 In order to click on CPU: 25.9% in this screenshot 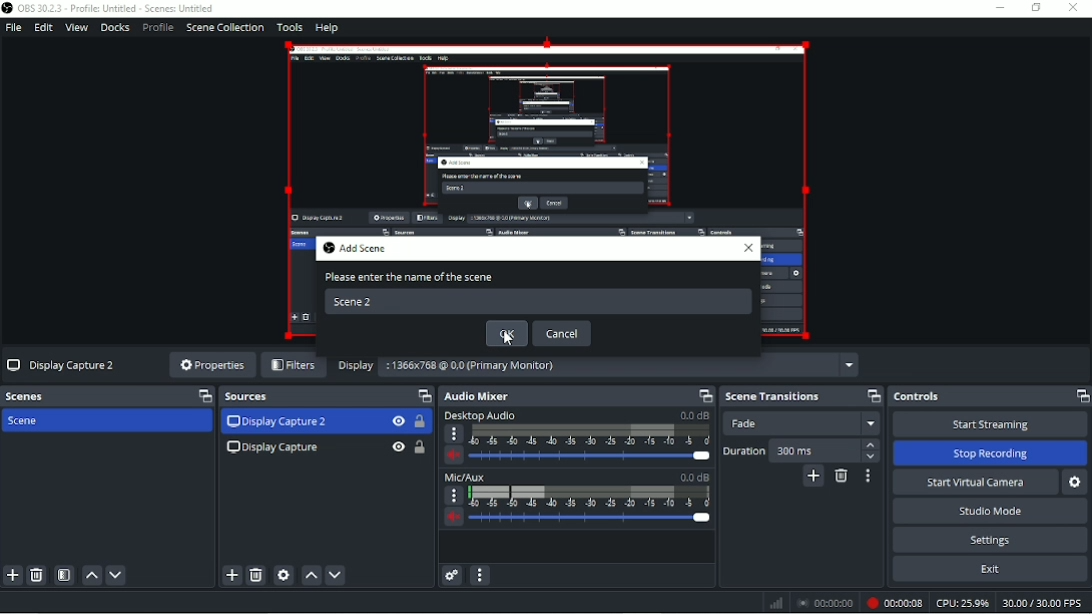, I will do `click(962, 604)`.